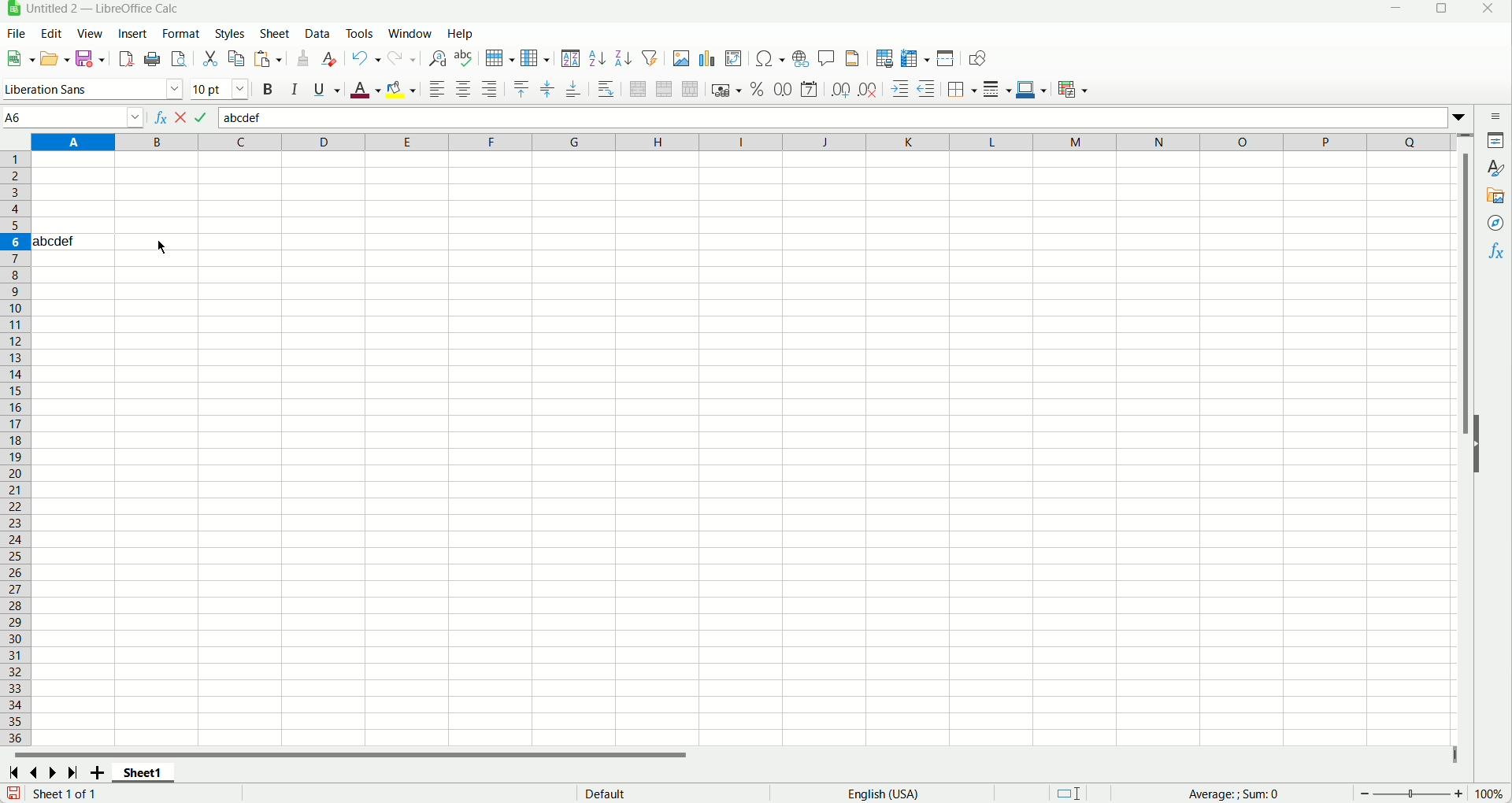  I want to click on scroll to next sheet, so click(56, 772).